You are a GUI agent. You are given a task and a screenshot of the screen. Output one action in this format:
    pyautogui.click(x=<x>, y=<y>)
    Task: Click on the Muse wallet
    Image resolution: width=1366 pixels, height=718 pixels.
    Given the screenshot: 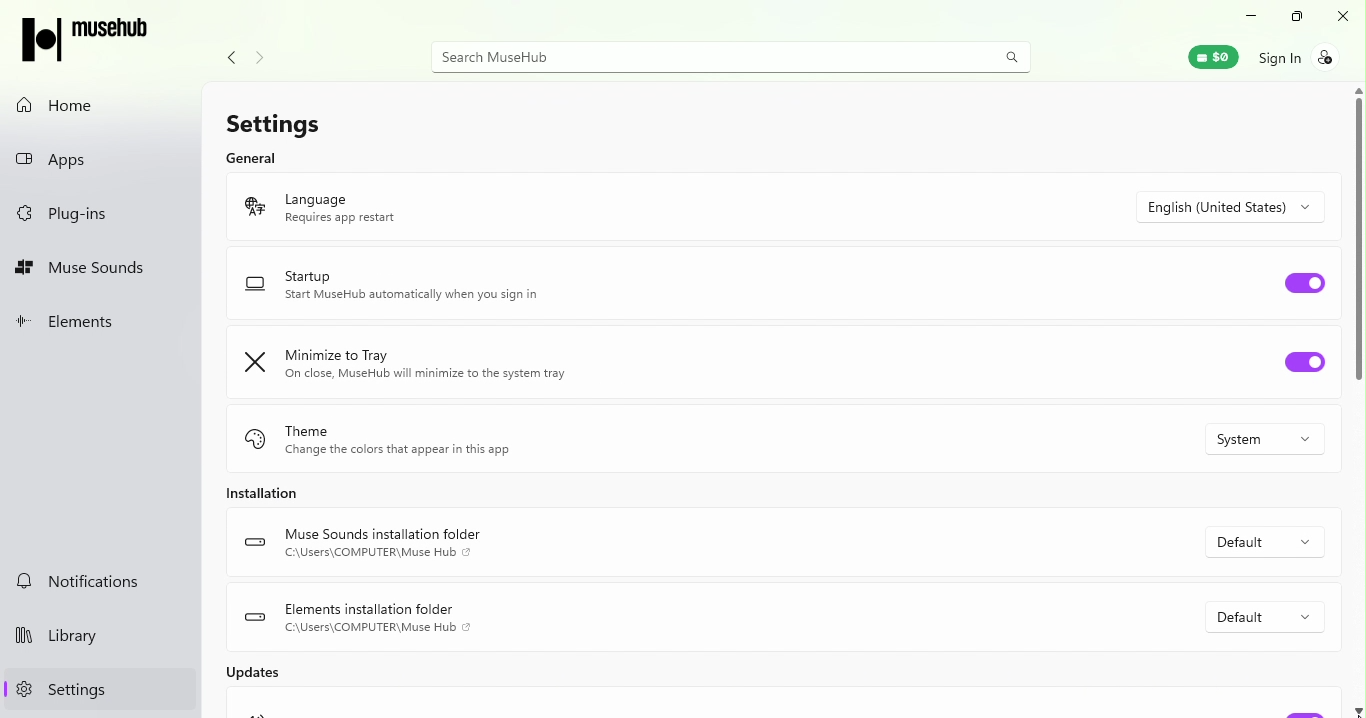 What is the action you would take?
    pyautogui.click(x=1204, y=56)
    